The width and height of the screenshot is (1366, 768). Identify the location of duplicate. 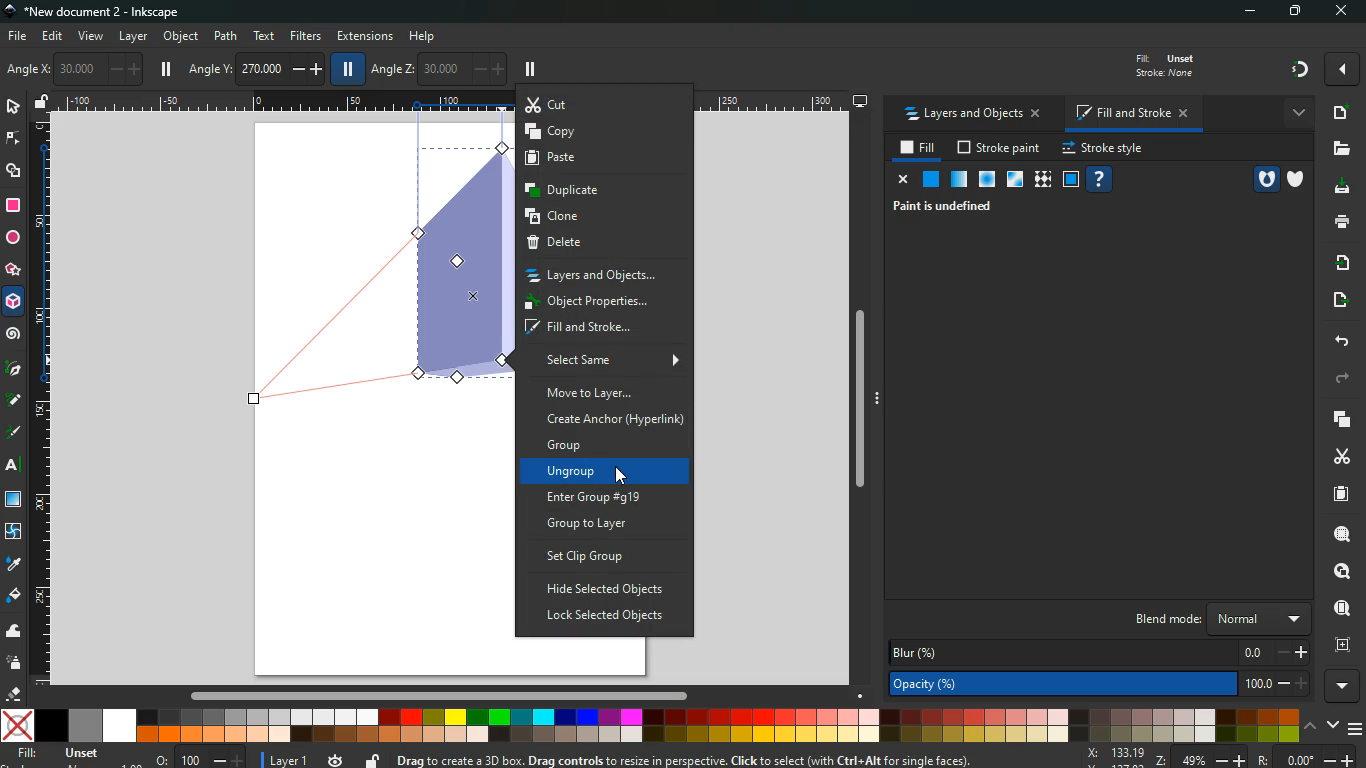
(600, 191).